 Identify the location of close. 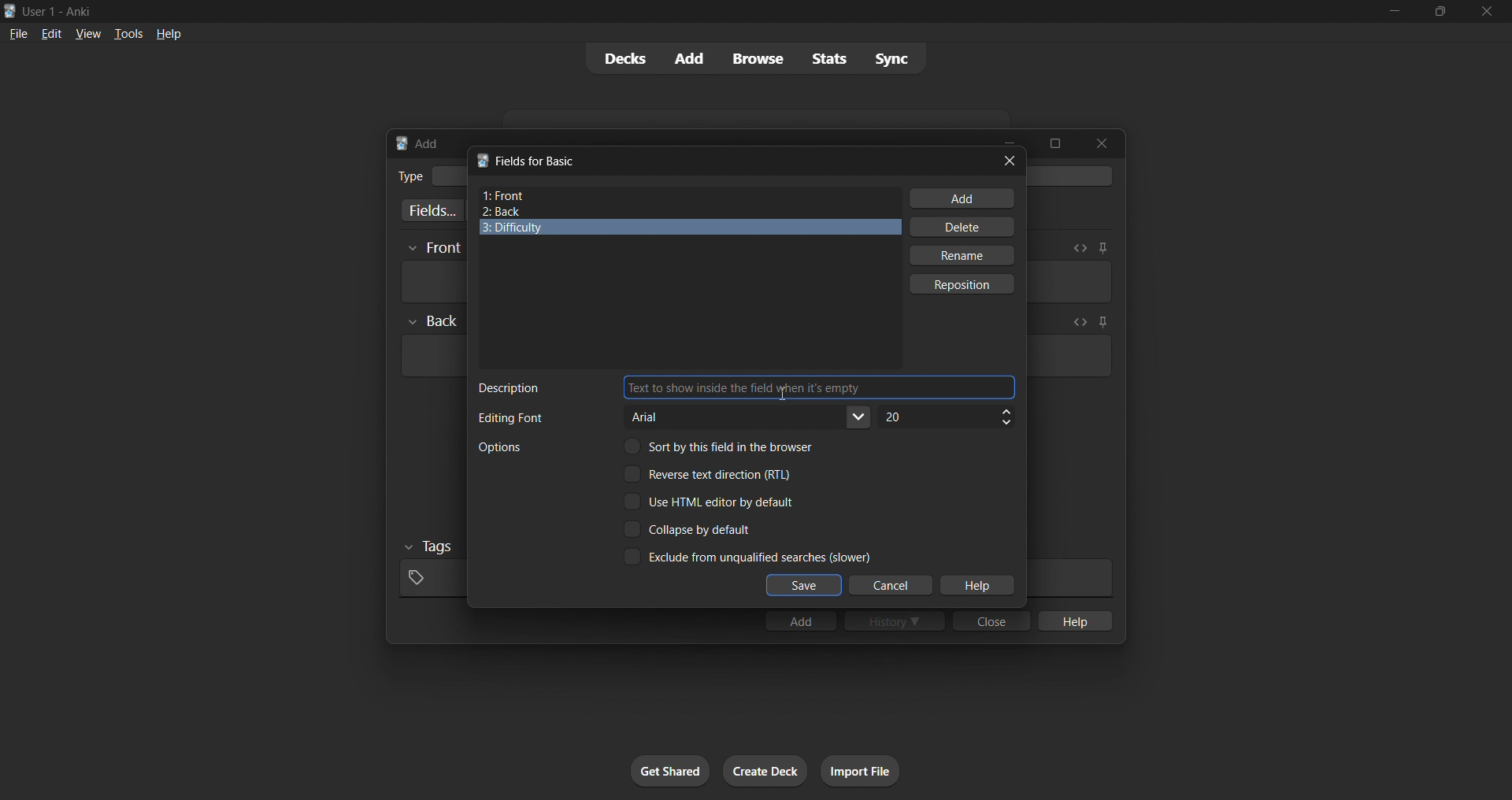
(1010, 161).